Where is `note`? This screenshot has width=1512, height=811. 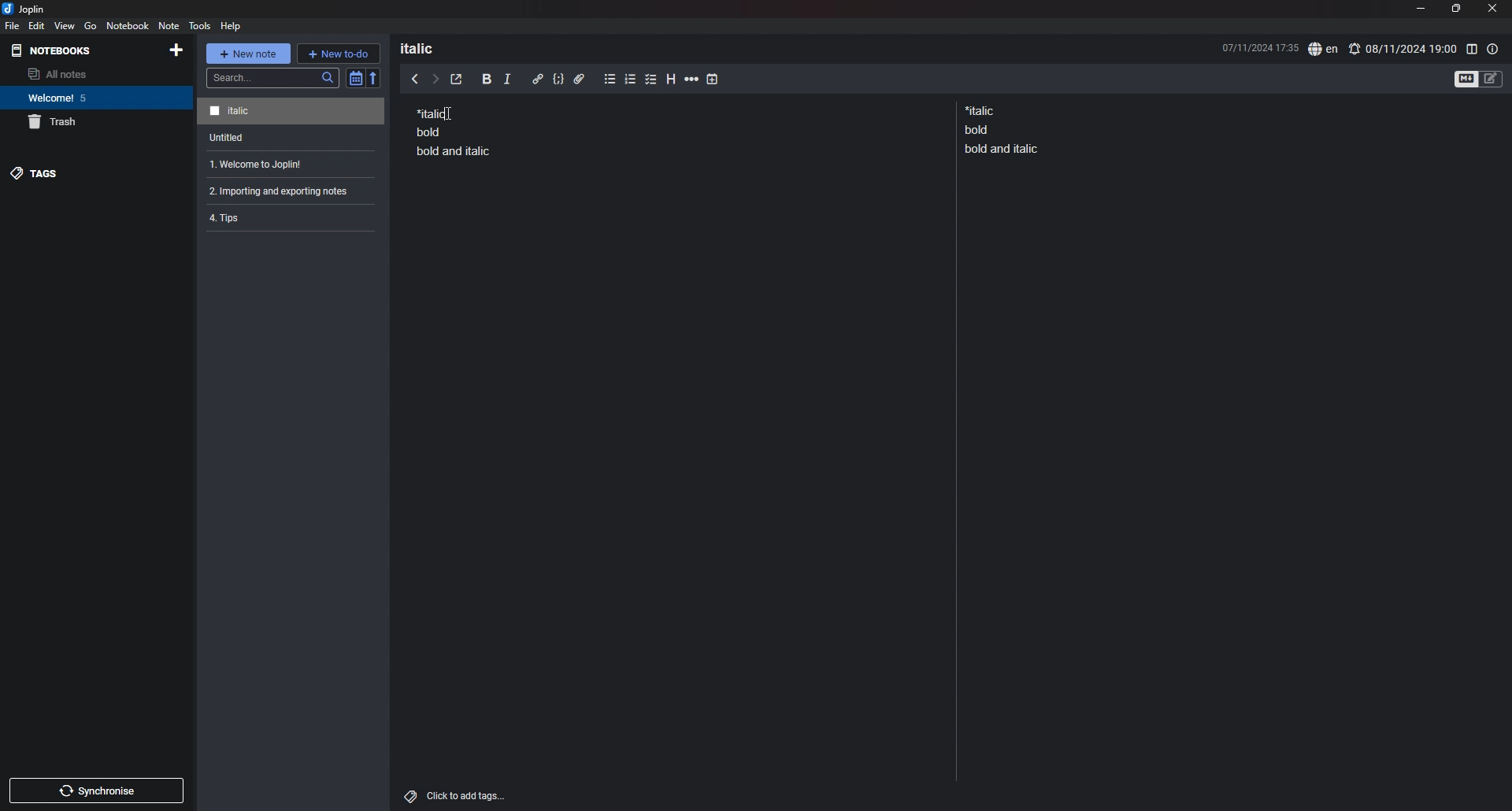 note is located at coordinates (1005, 129).